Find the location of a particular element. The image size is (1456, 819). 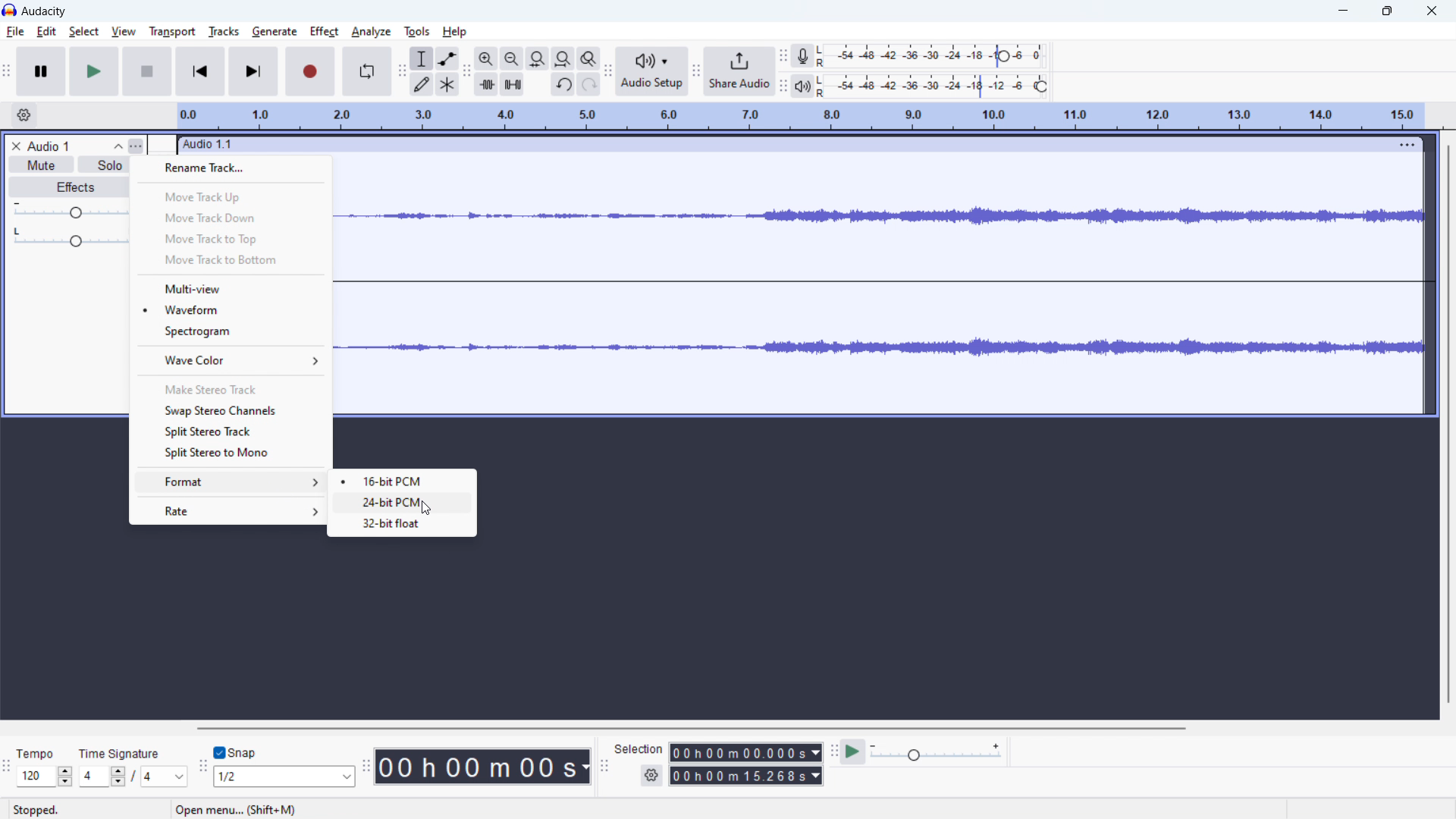

time toolbar is located at coordinates (366, 767).